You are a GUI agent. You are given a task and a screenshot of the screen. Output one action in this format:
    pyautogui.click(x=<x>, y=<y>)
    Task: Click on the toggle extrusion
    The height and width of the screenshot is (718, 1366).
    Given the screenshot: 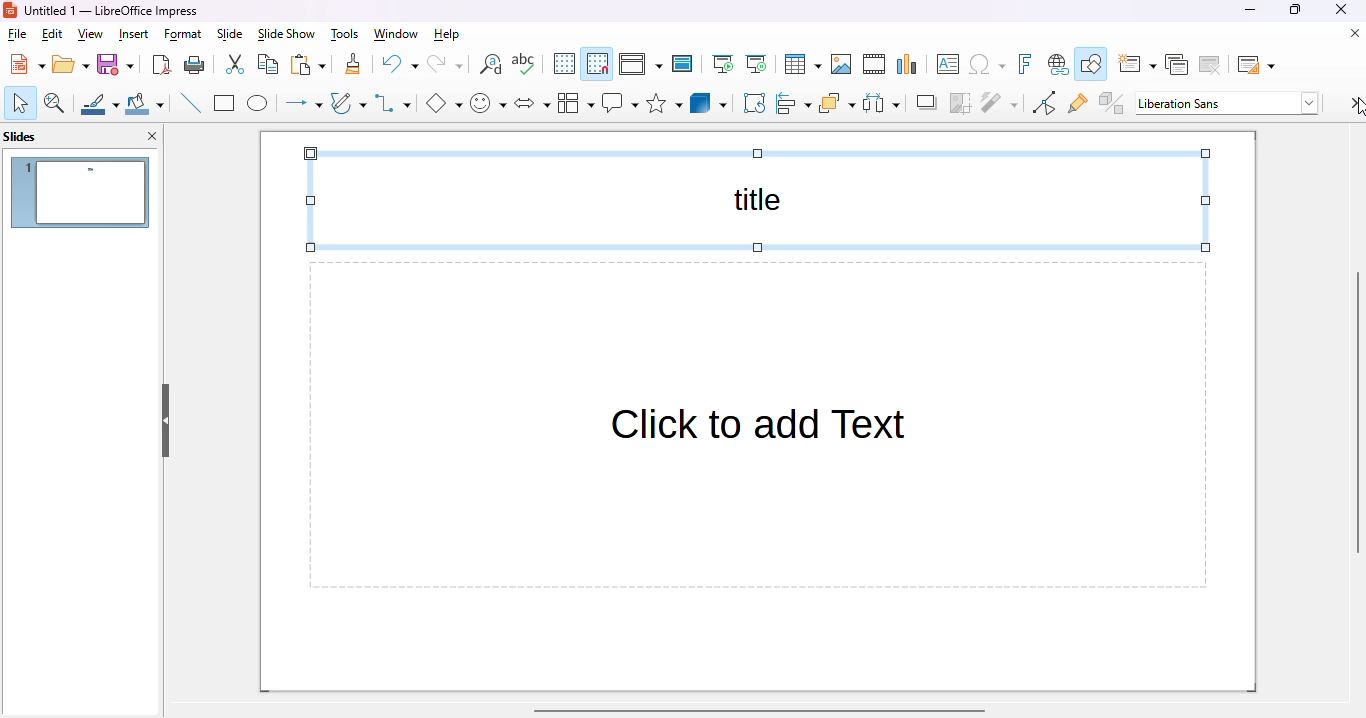 What is the action you would take?
    pyautogui.click(x=1112, y=102)
    